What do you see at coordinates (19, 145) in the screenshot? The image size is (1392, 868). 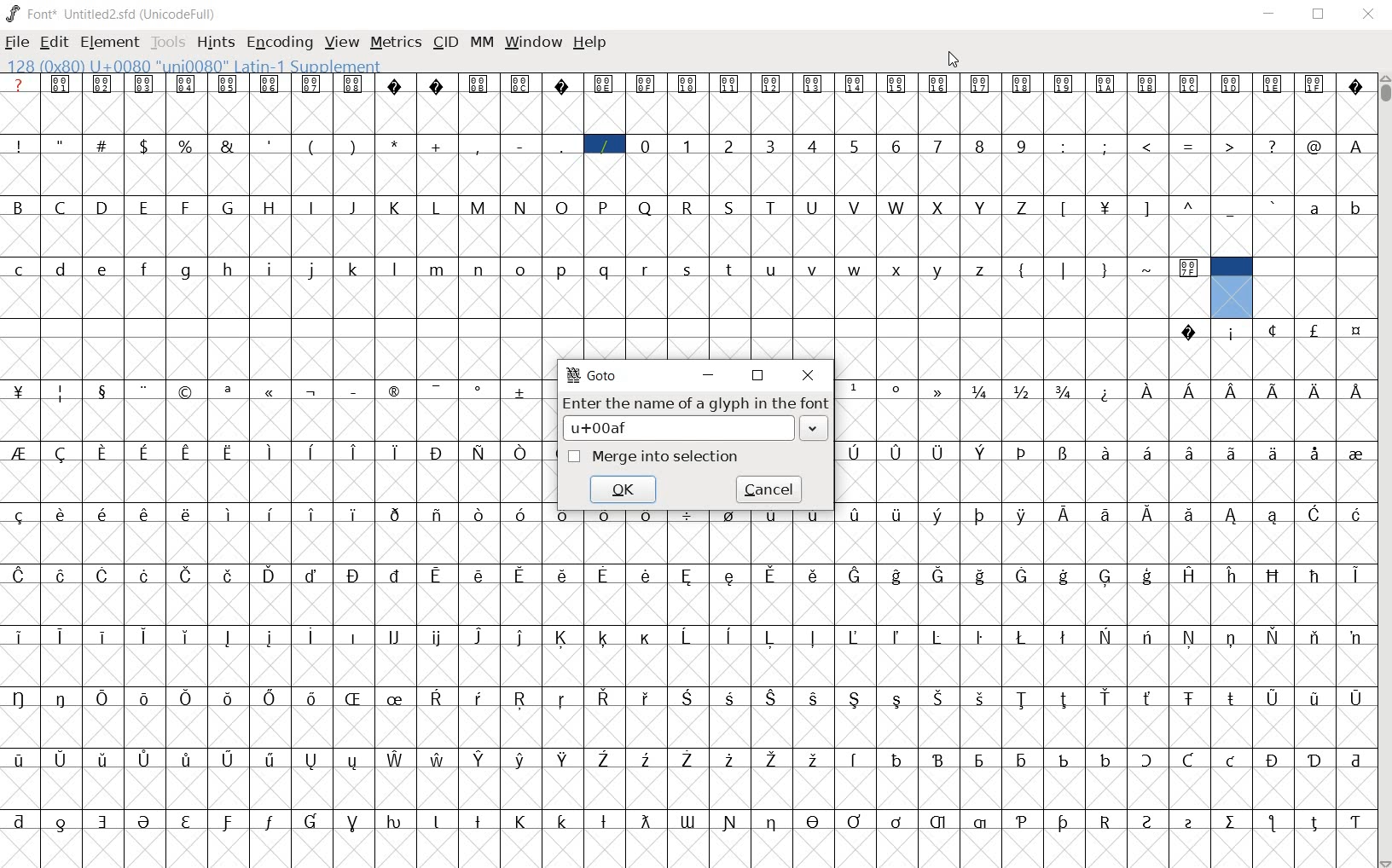 I see `!` at bounding box center [19, 145].